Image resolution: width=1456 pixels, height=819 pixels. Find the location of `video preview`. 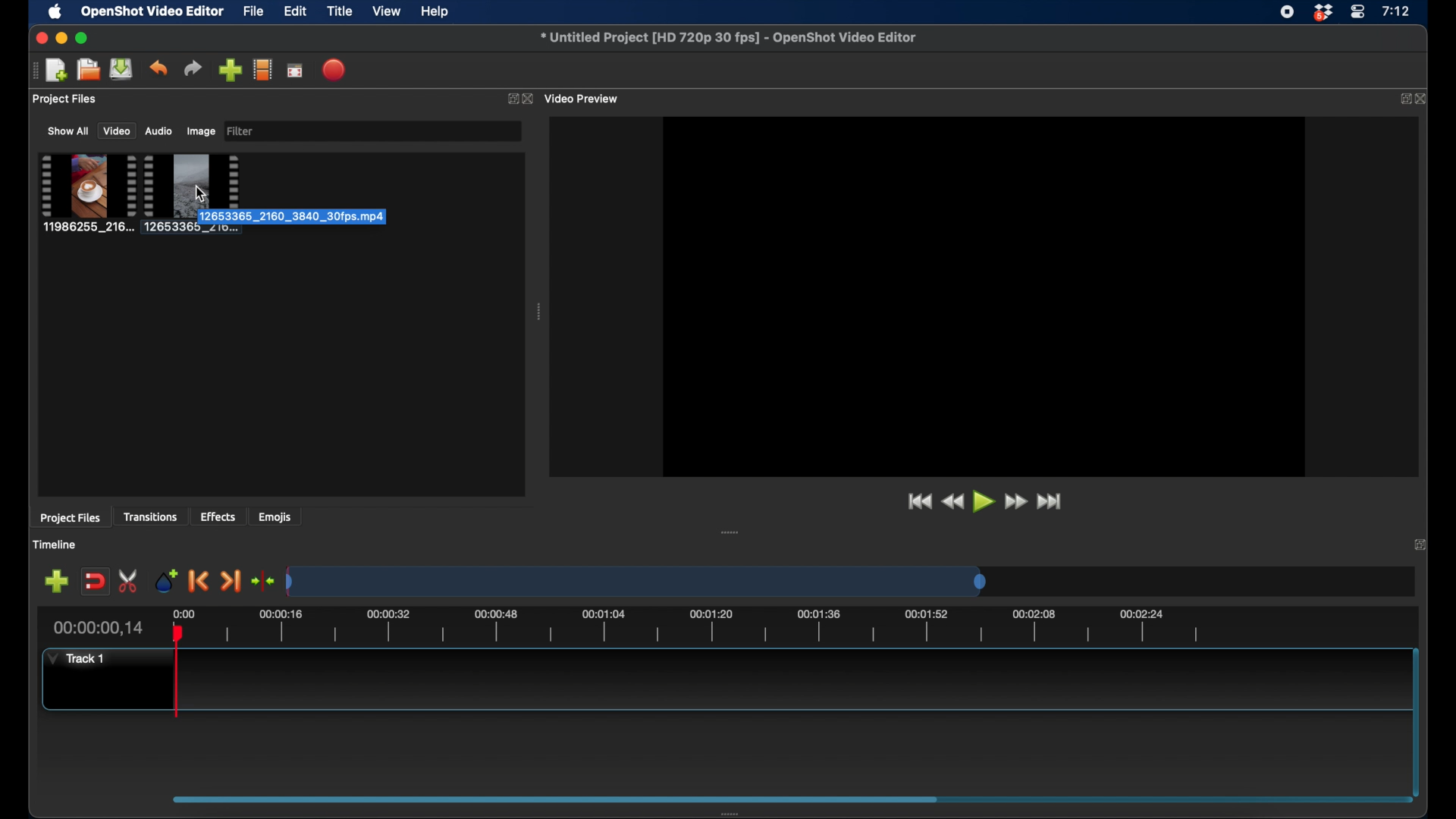

video preview is located at coordinates (984, 295).